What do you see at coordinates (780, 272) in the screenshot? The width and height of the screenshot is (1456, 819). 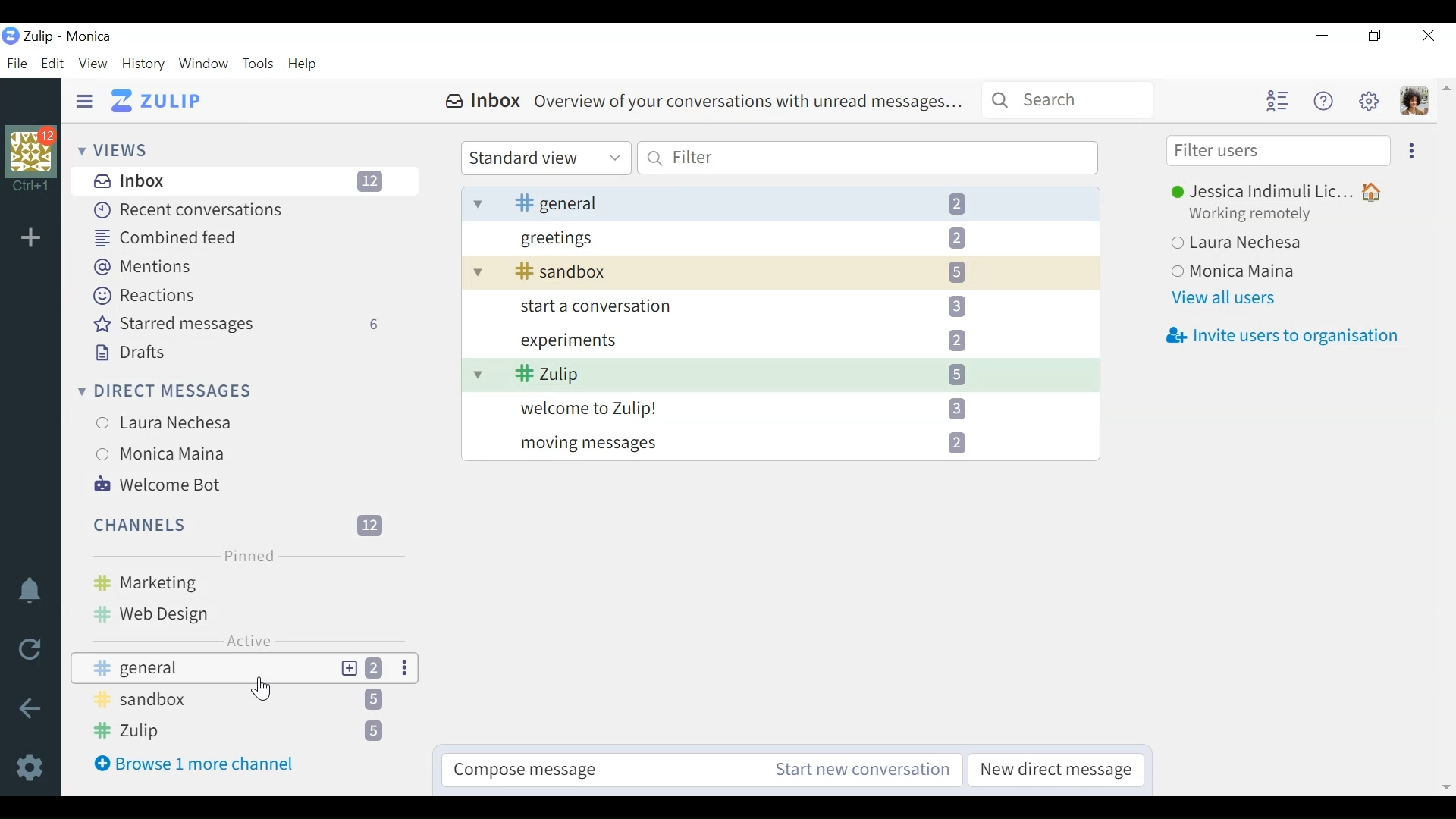 I see `Sandbox 5` at bounding box center [780, 272].